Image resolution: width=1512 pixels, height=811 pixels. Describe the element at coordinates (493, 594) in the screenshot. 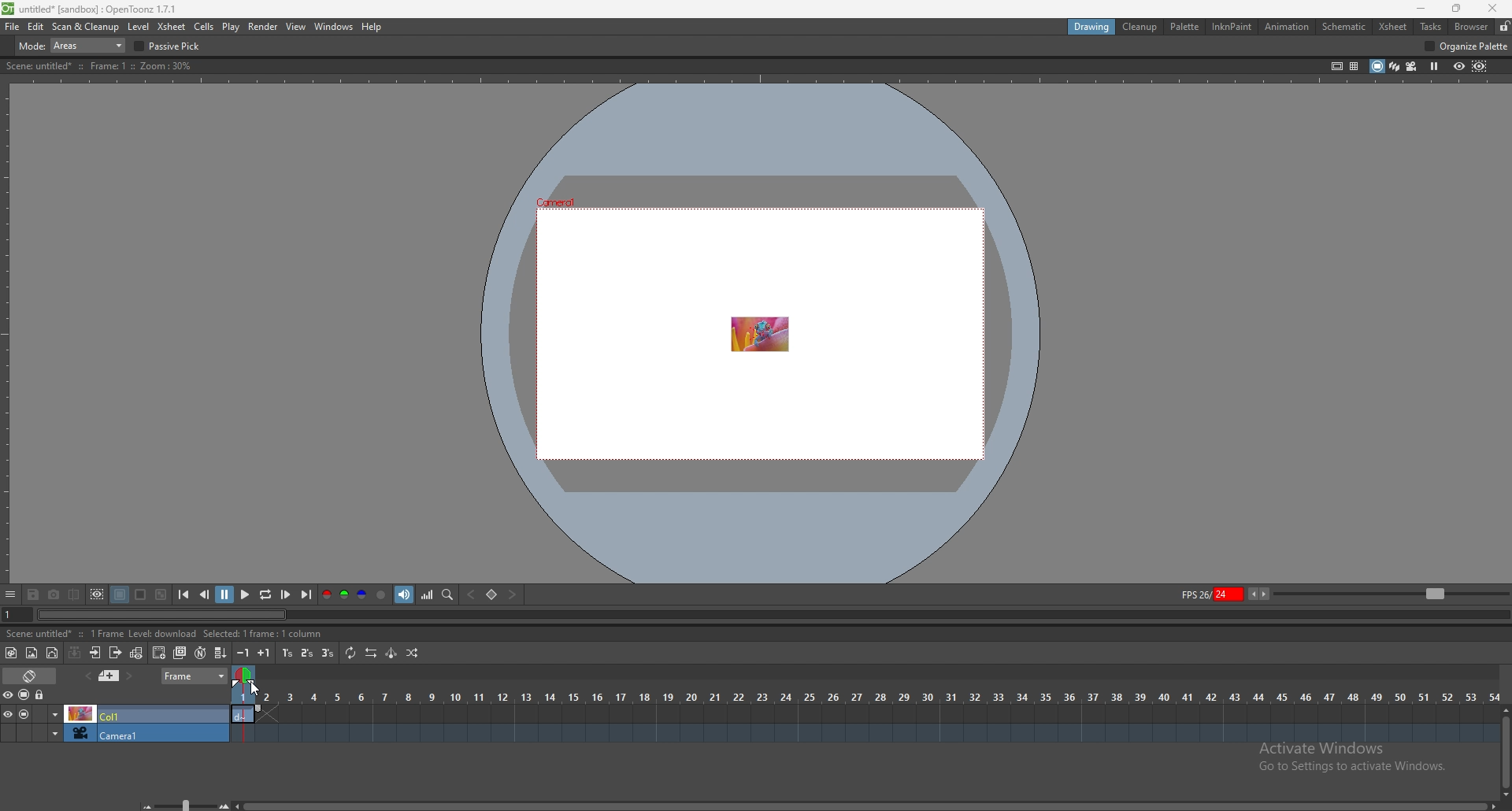

I see `set key` at that location.